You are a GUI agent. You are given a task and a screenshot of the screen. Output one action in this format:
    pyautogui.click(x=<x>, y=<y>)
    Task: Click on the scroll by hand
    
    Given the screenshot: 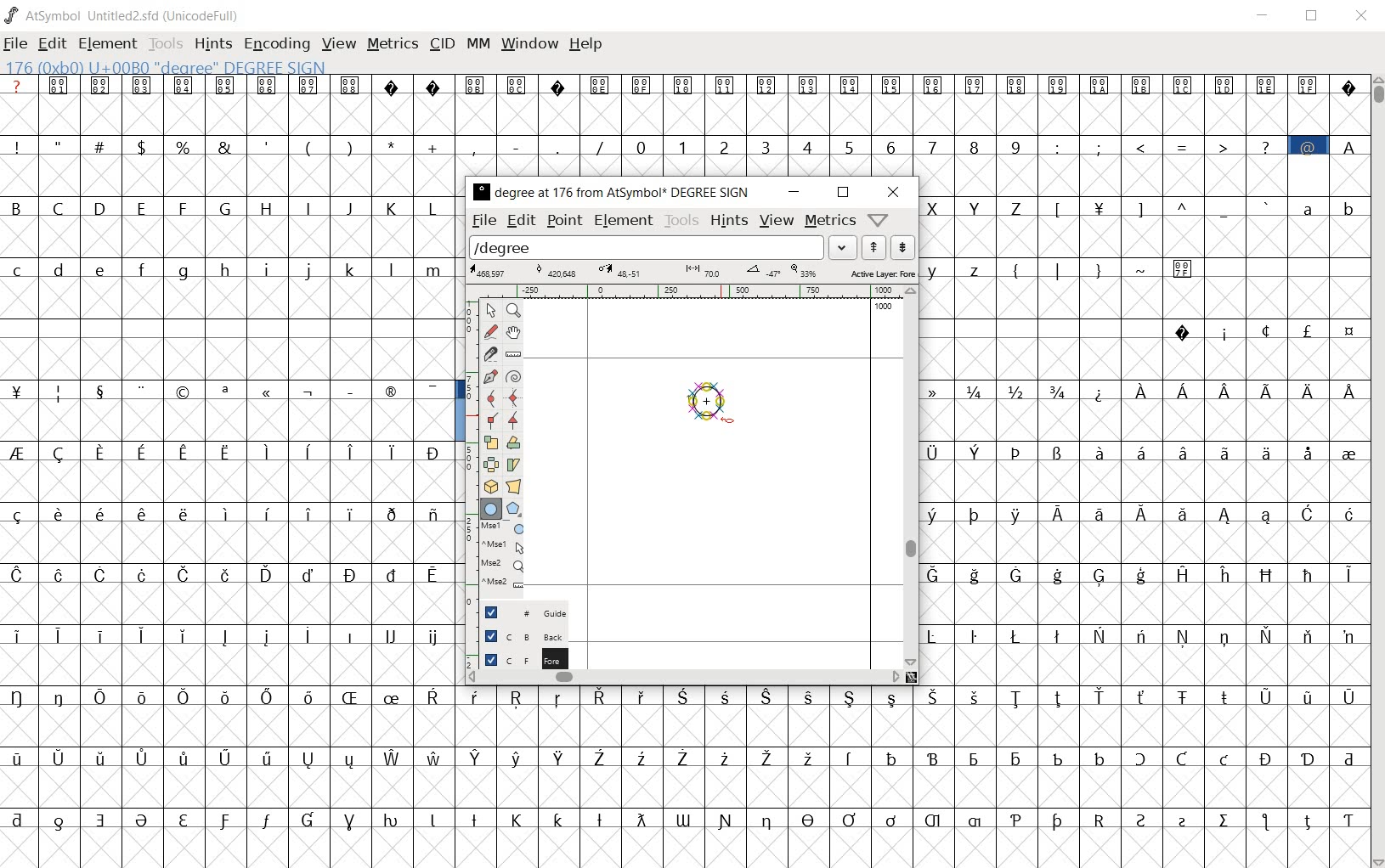 What is the action you would take?
    pyautogui.click(x=512, y=335)
    